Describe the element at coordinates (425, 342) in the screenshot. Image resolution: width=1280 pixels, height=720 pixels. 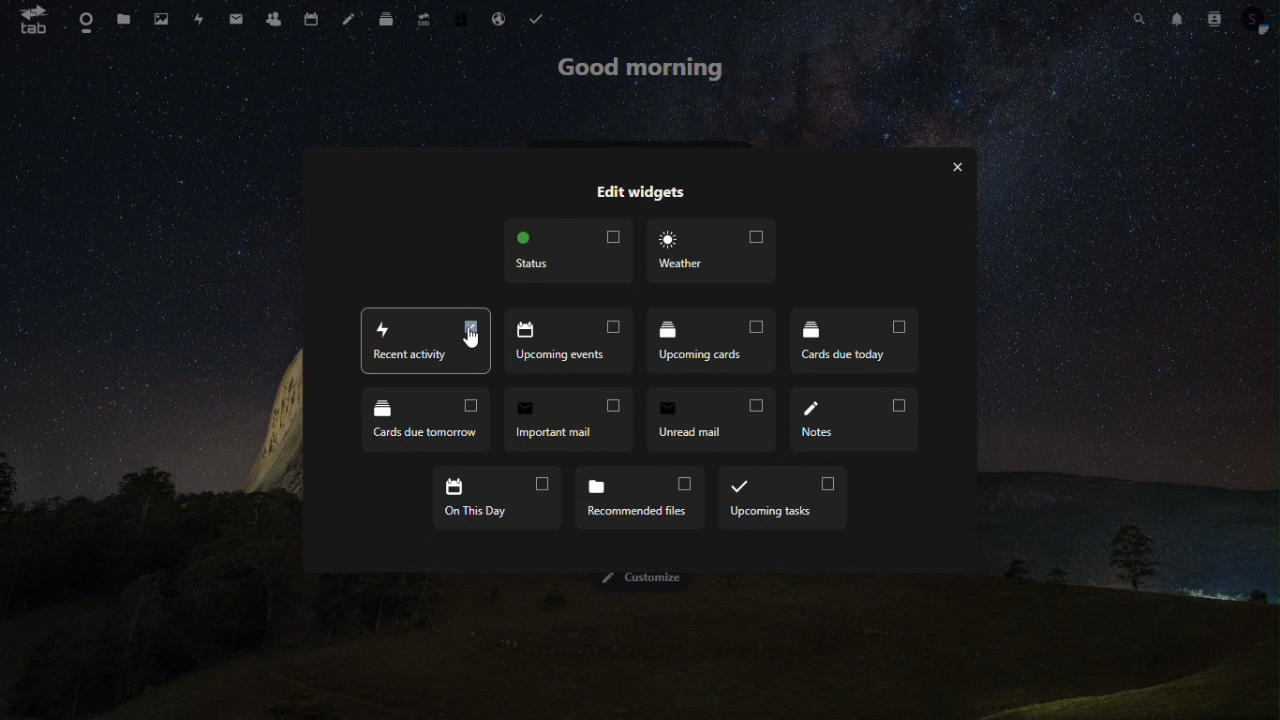
I see `recent activity` at that location.